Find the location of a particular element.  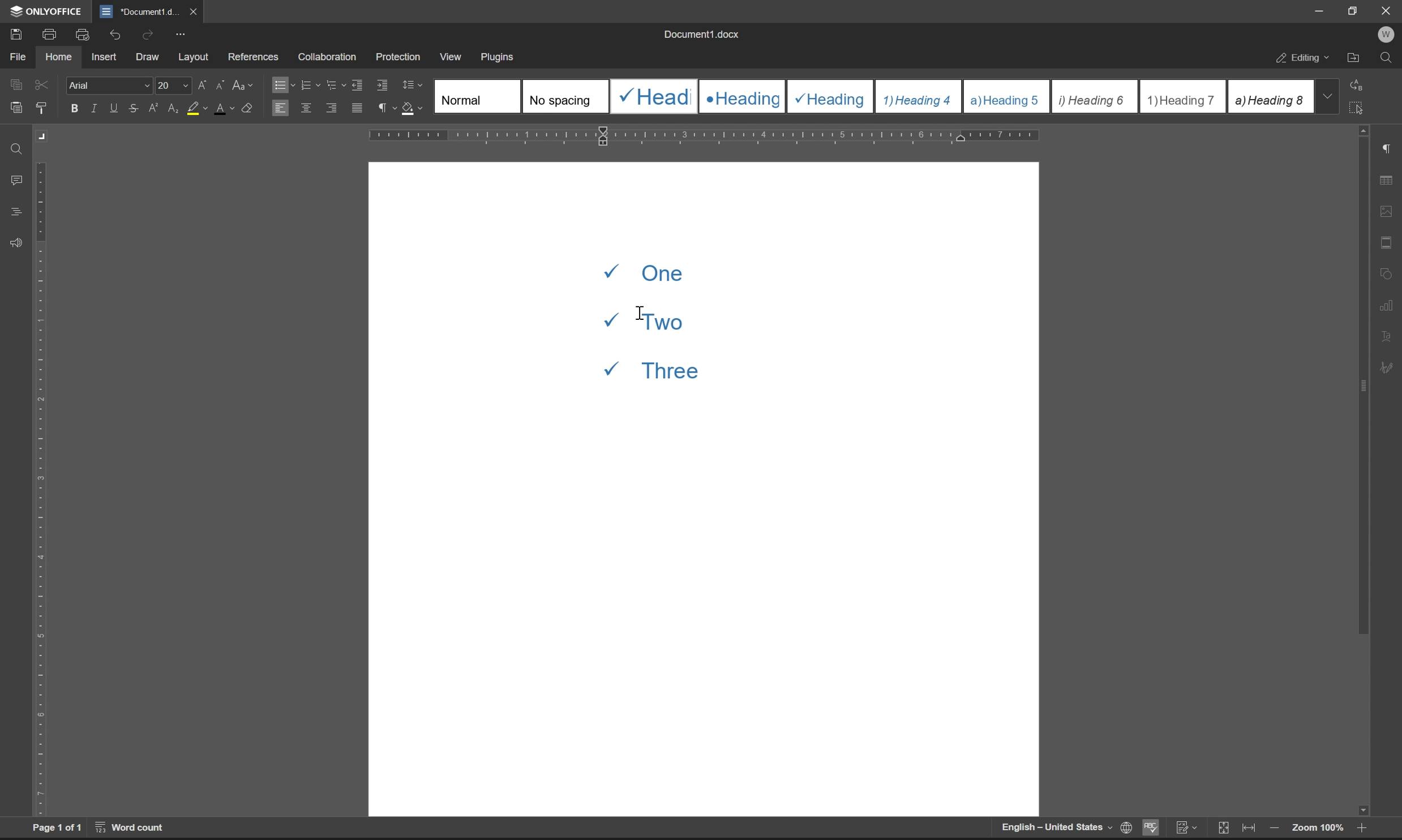

draw is located at coordinates (151, 58).